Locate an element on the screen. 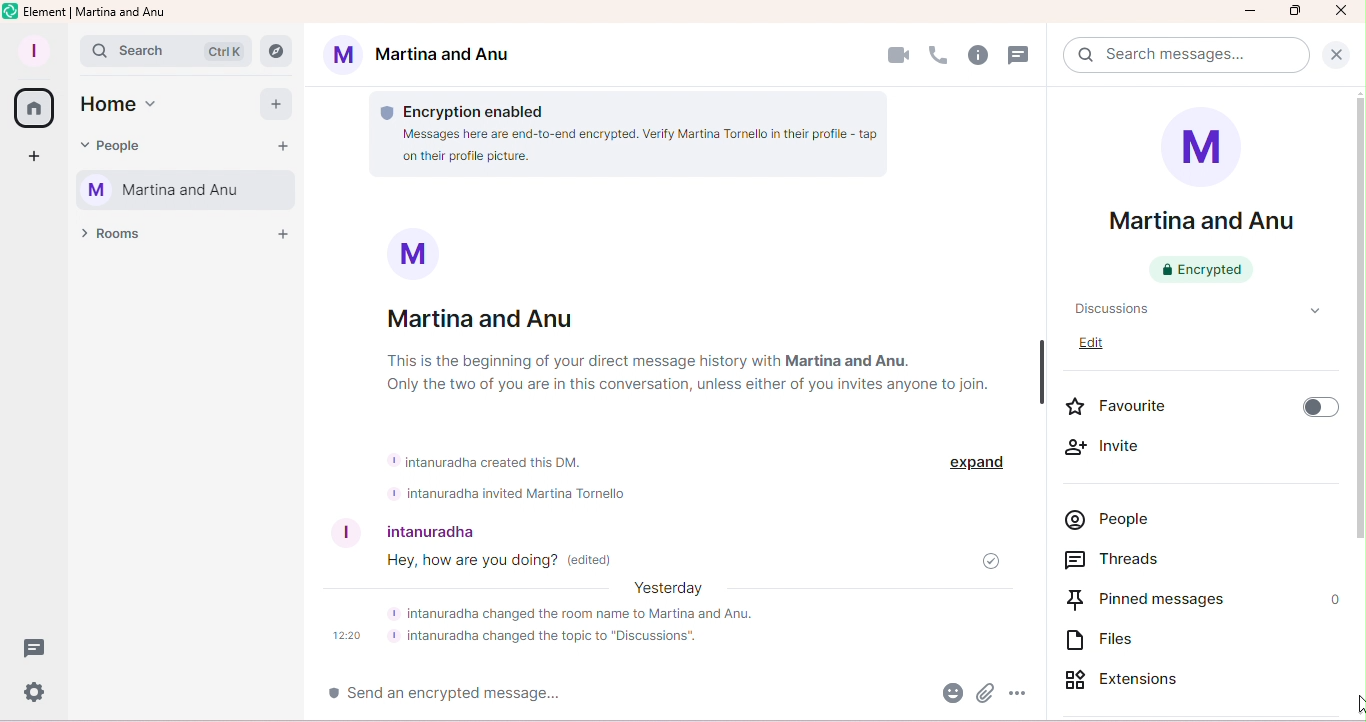 The image size is (1366, 722). Home is located at coordinates (127, 109).